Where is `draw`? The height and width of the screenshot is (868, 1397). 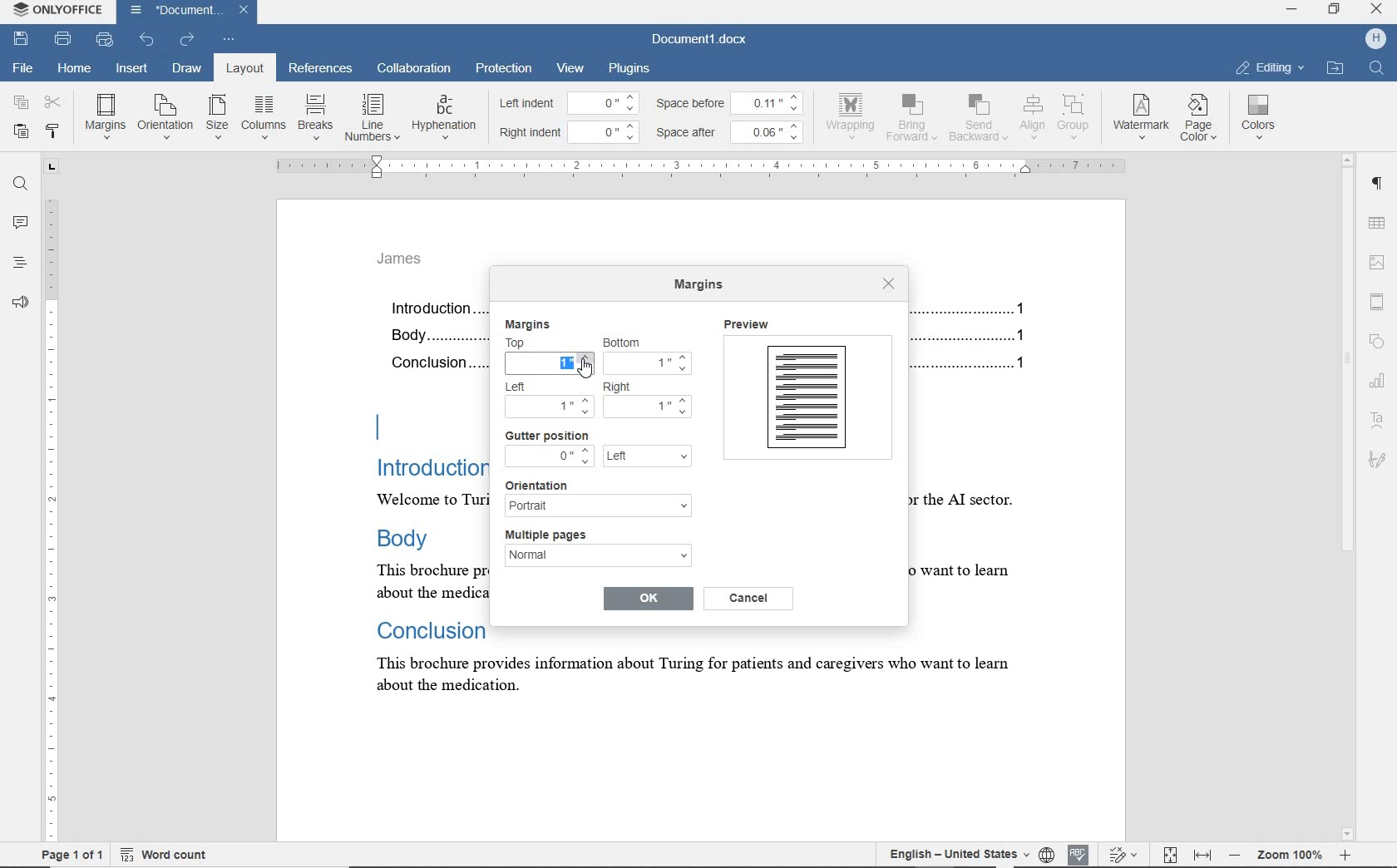 draw is located at coordinates (187, 67).